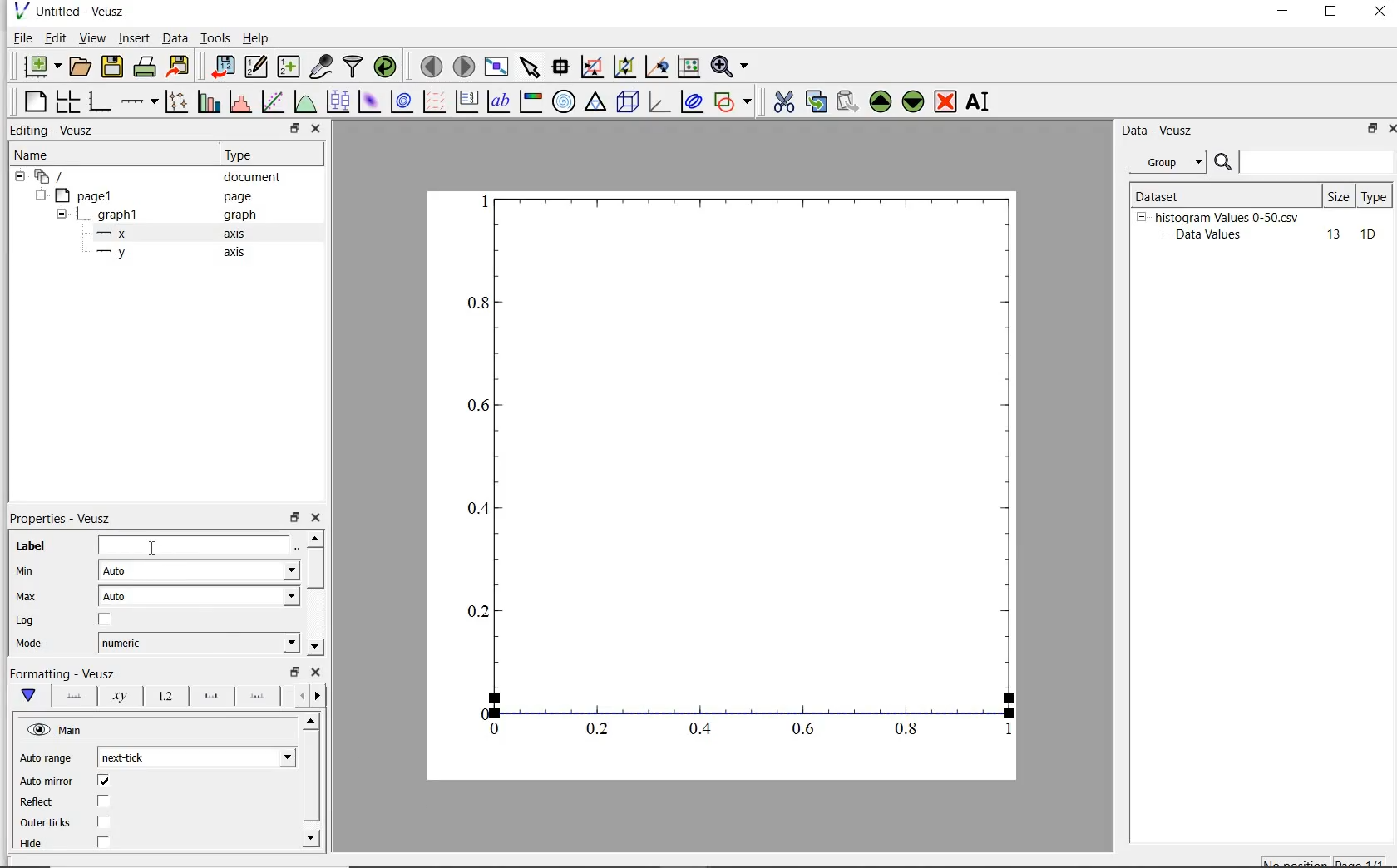 This screenshot has height=868, width=1397. Describe the element at coordinates (139, 100) in the screenshot. I see `add axis on the plot` at that location.